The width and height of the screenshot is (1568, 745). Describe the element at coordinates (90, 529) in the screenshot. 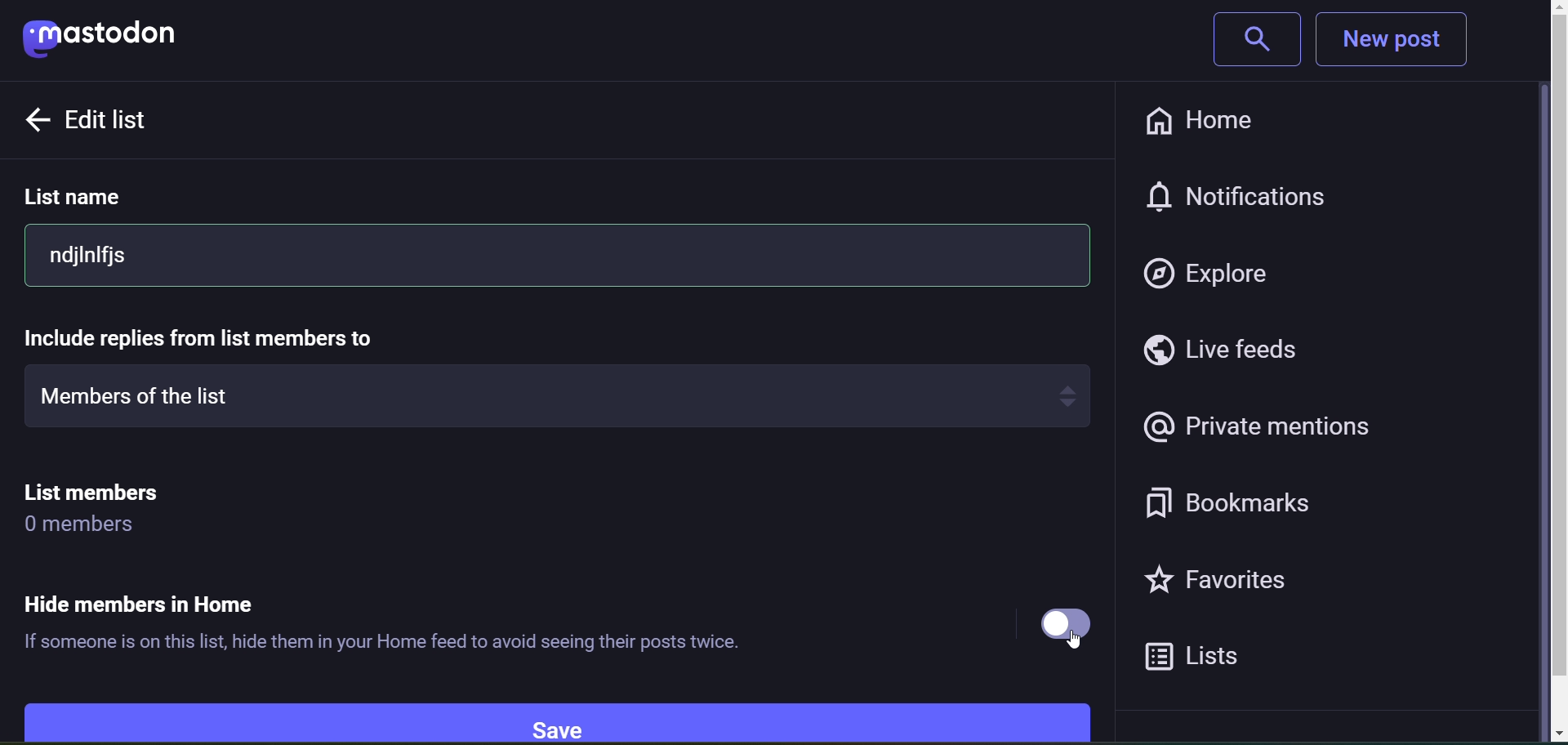

I see `0 members` at that location.